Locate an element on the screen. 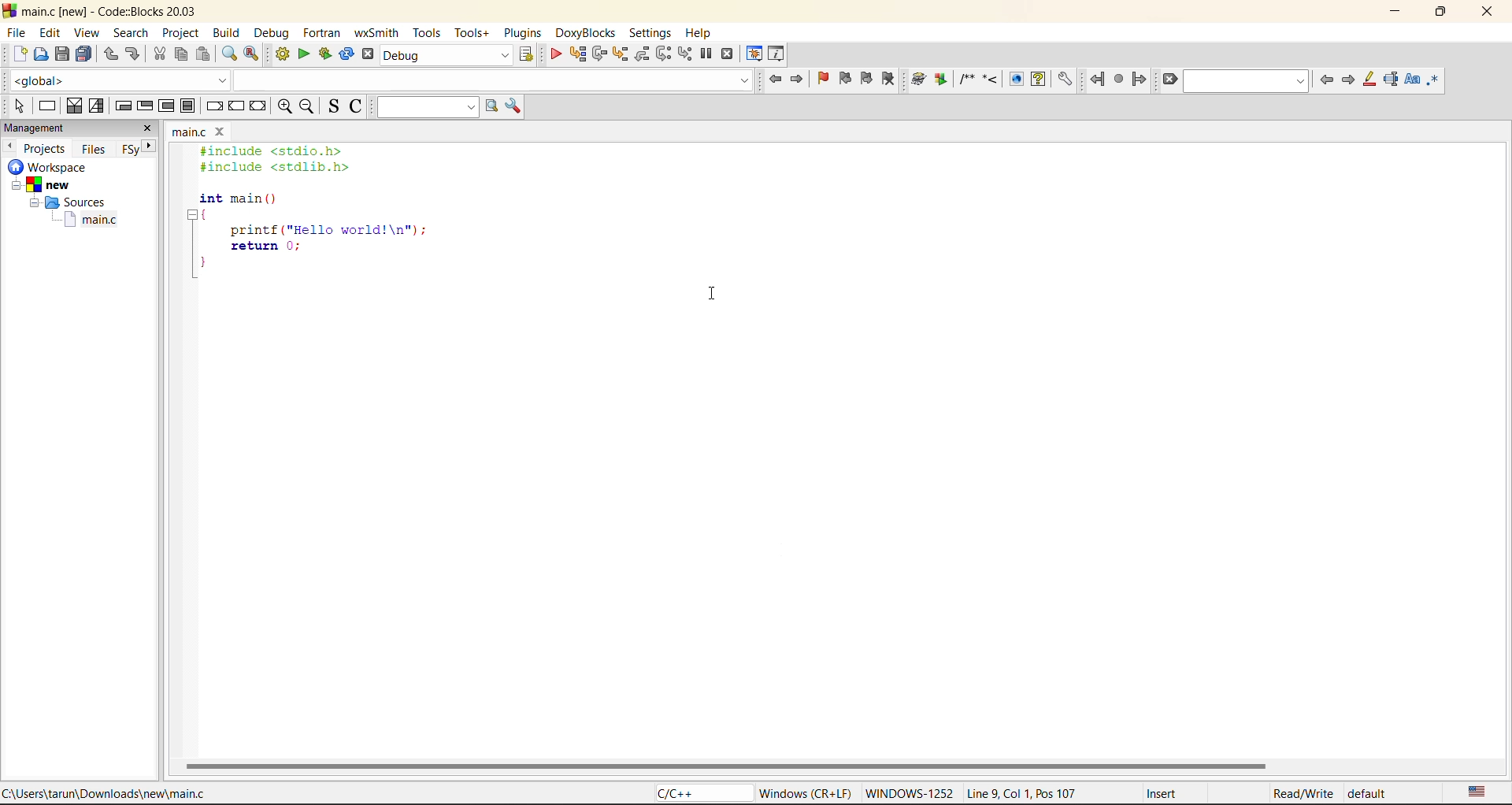  New is located at coordinates (51, 185).